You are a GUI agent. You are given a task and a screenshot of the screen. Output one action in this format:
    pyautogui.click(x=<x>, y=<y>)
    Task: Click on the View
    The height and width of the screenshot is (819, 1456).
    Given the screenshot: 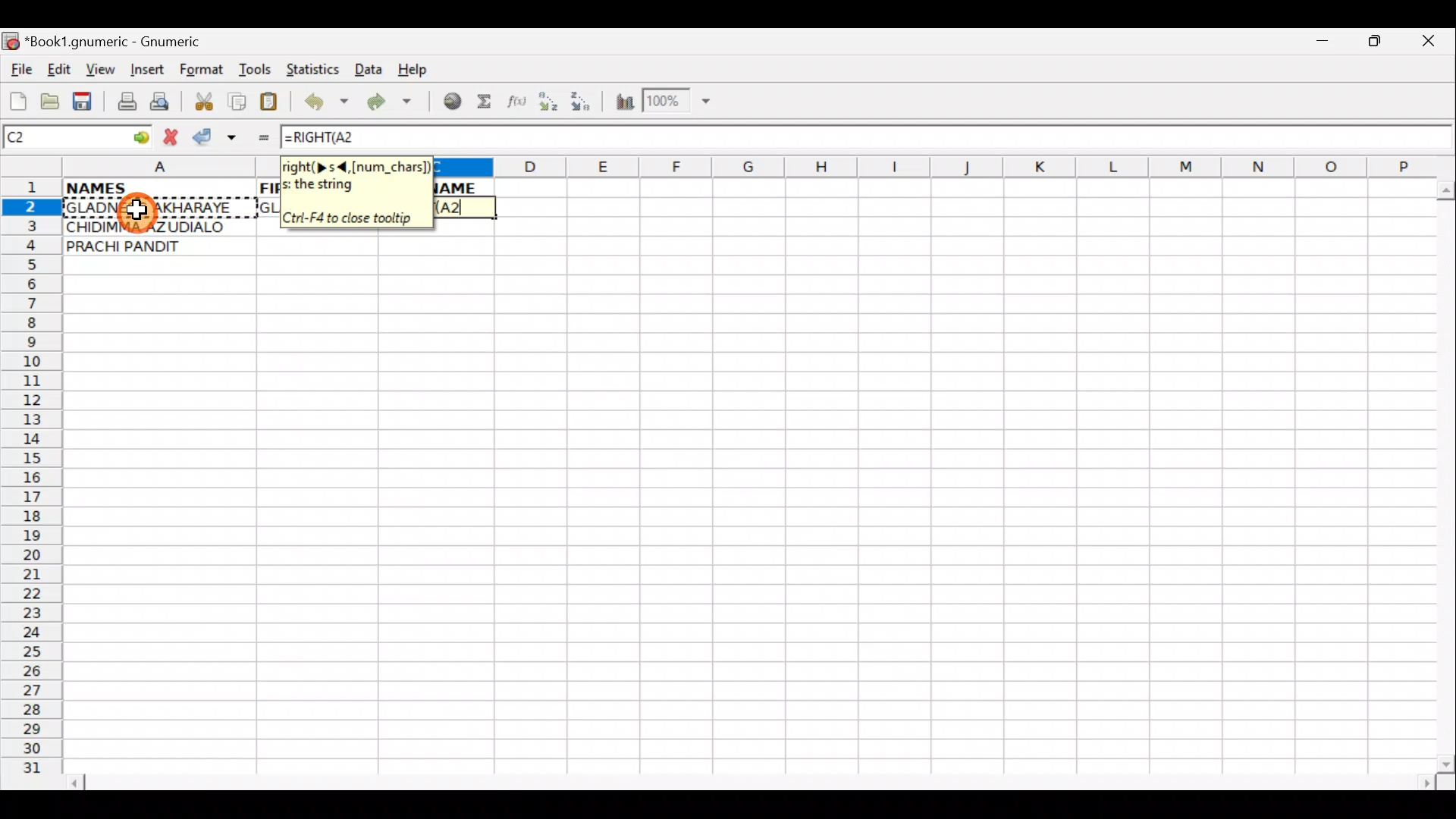 What is the action you would take?
    pyautogui.click(x=96, y=69)
    